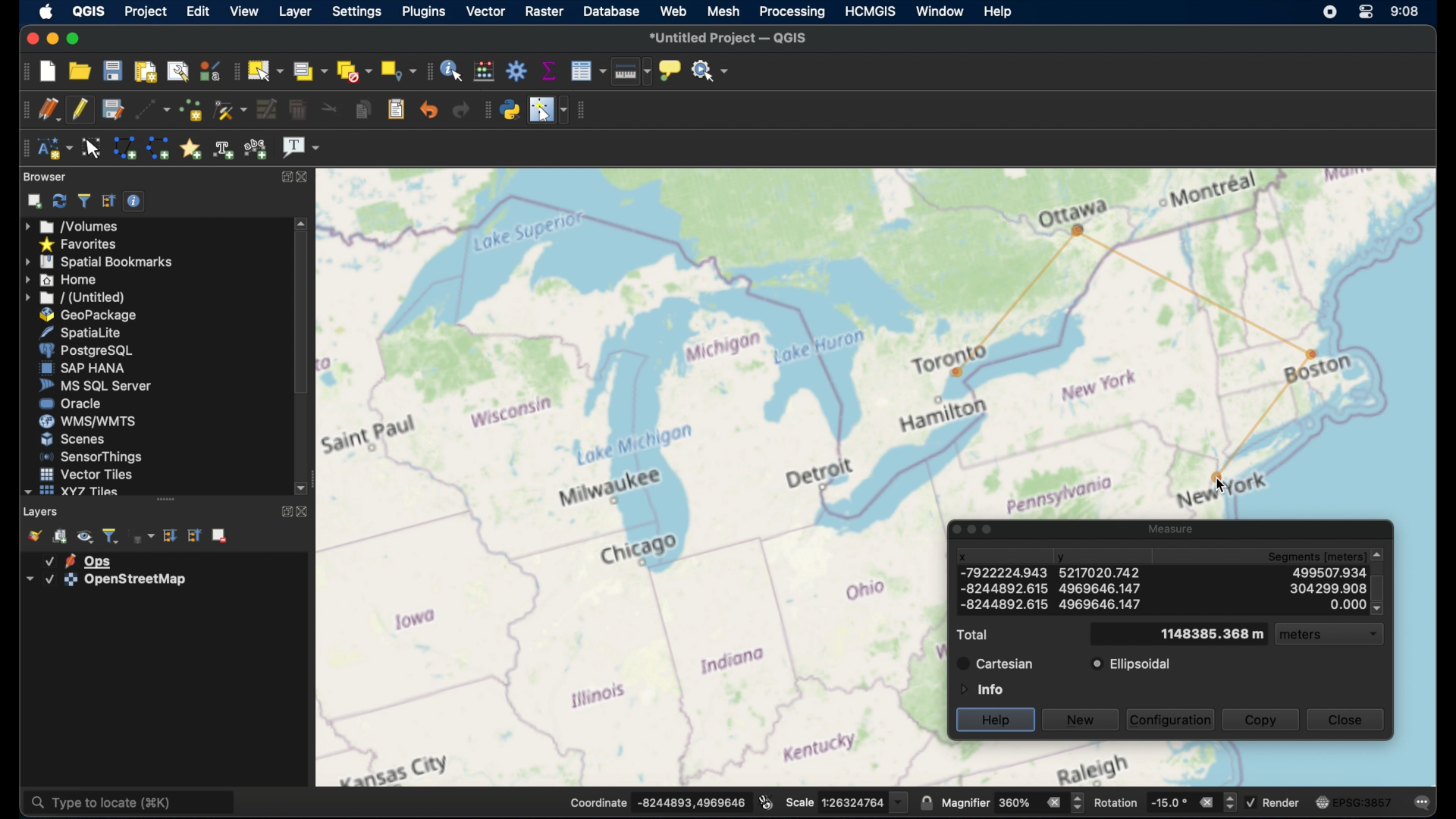 This screenshot has height=819, width=1456. Describe the element at coordinates (518, 70) in the screenshot. I see `toolbox` at that location.